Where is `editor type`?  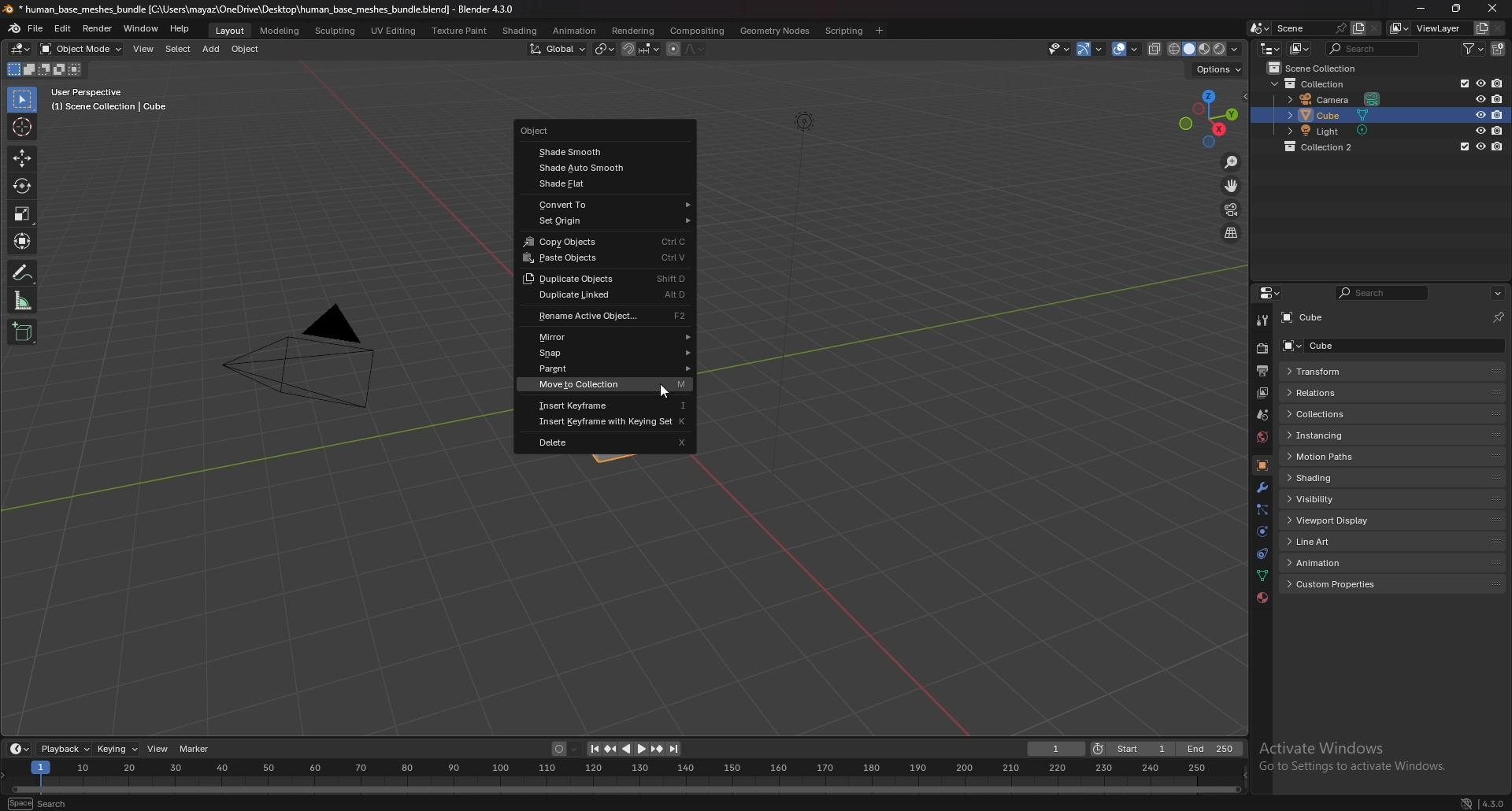
editor type is located at coordinates (1272, 293).